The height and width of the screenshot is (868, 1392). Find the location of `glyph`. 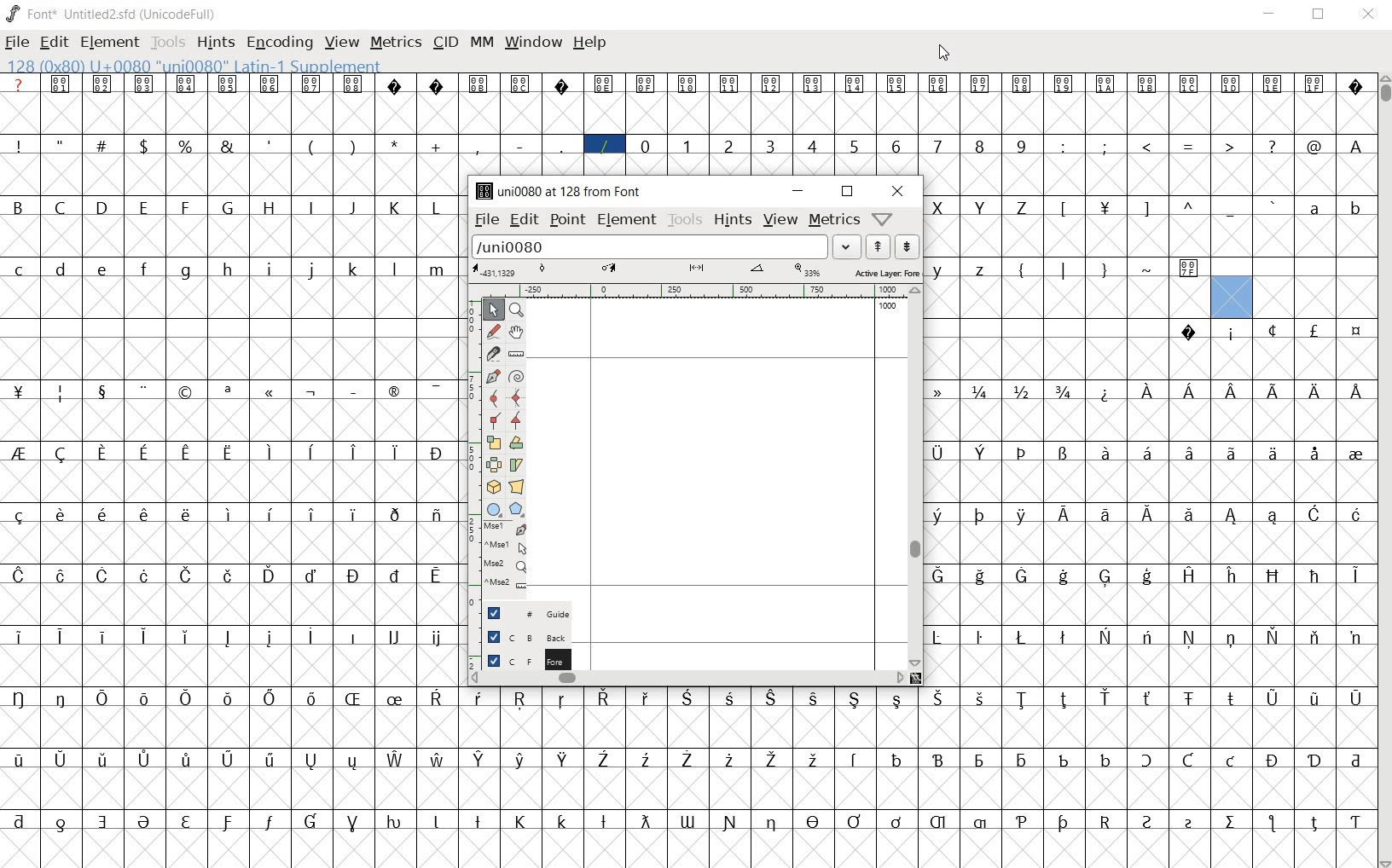

glyph is located at coordinates (437, 147).